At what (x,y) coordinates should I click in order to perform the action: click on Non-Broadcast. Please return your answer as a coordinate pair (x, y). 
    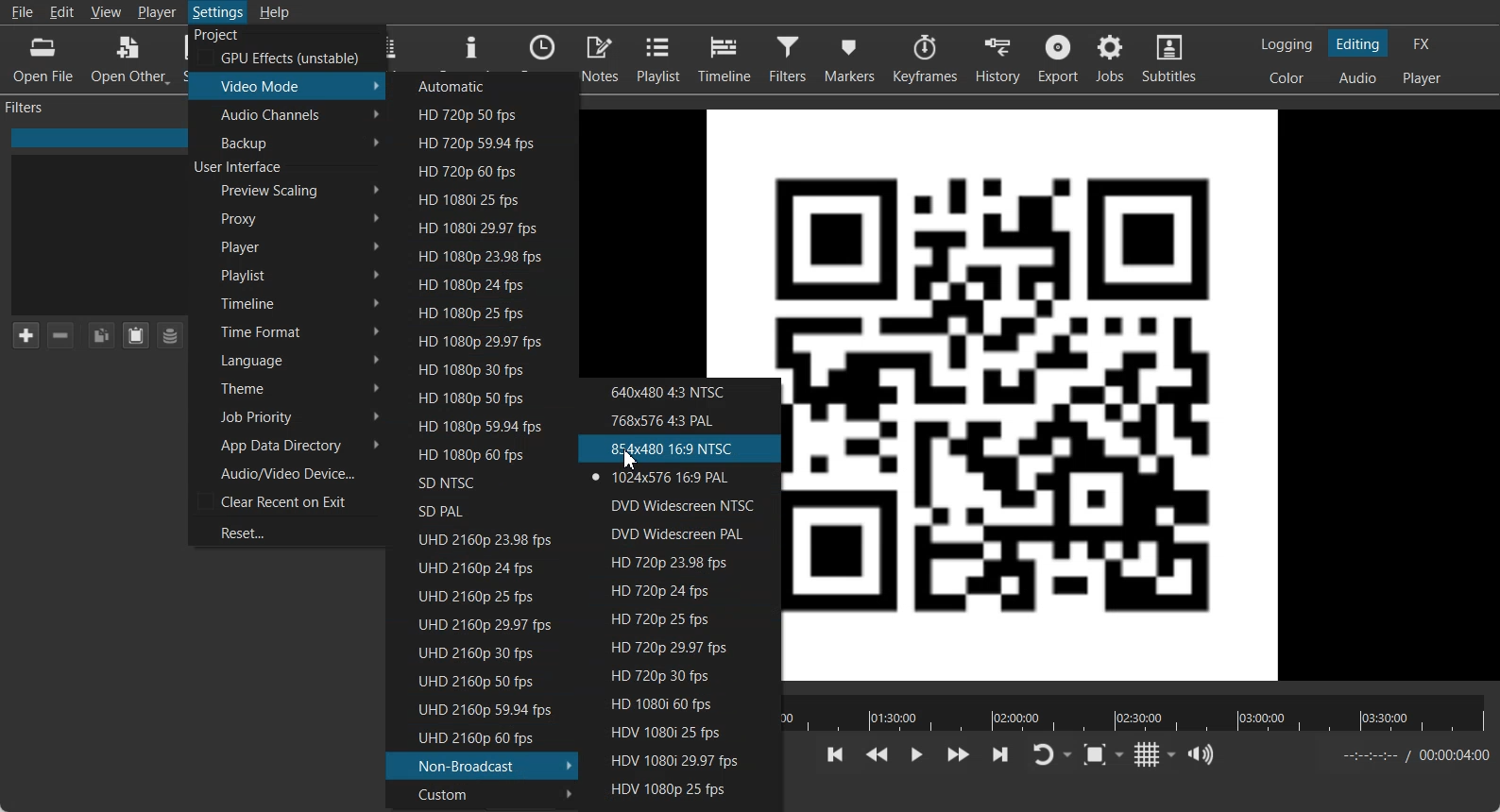
    Looking at the image, I should click on (483, 765).